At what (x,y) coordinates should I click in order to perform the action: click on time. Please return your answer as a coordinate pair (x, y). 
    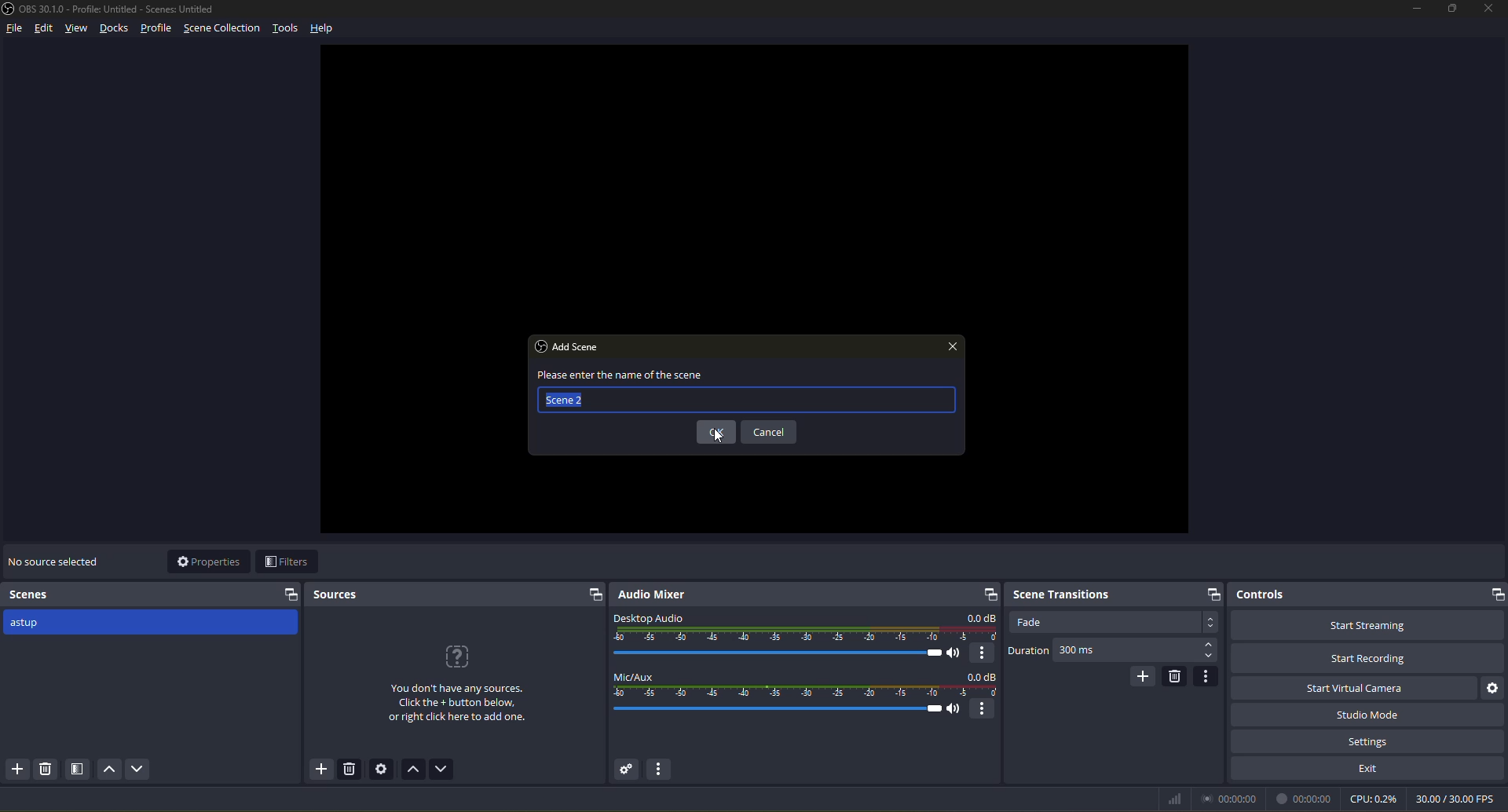
    Looking at the image, I should click on (1228, 798).